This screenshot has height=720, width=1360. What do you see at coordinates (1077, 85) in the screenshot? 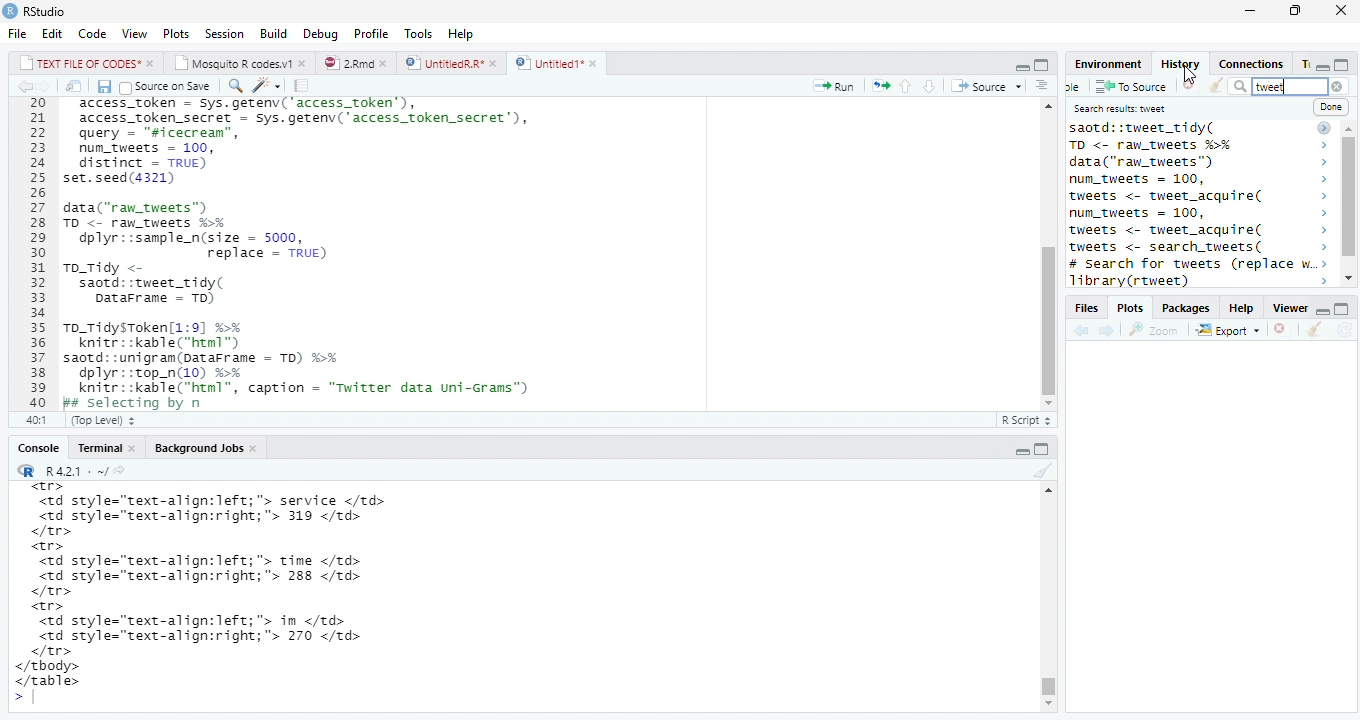
I see `new` at bounding box center [1077, 85].